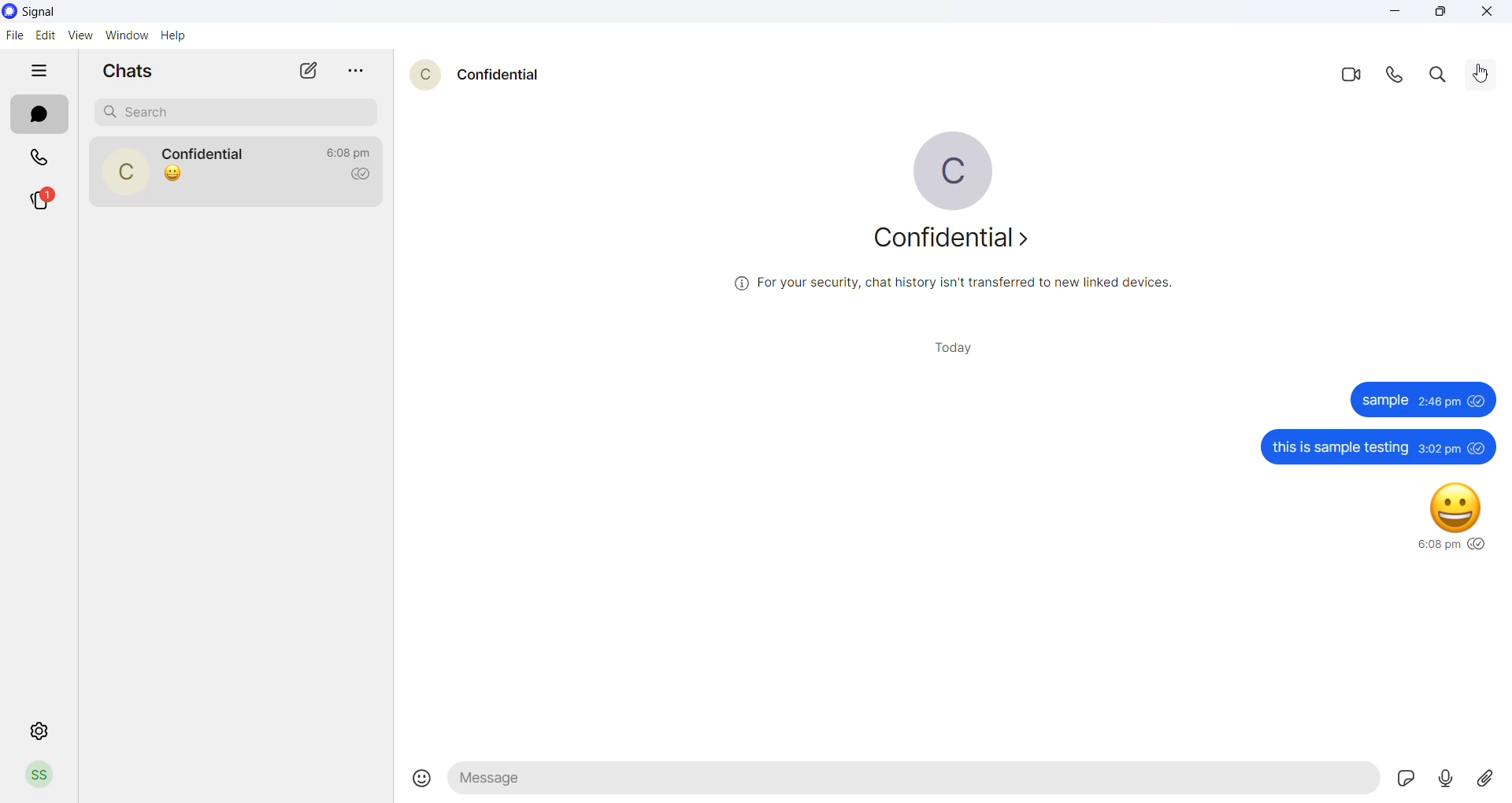 The image size is (1512, 803). What do you see at coordinates (231, 114) in the screenshot?
I see `search chats` at bounding box center [231, 114].